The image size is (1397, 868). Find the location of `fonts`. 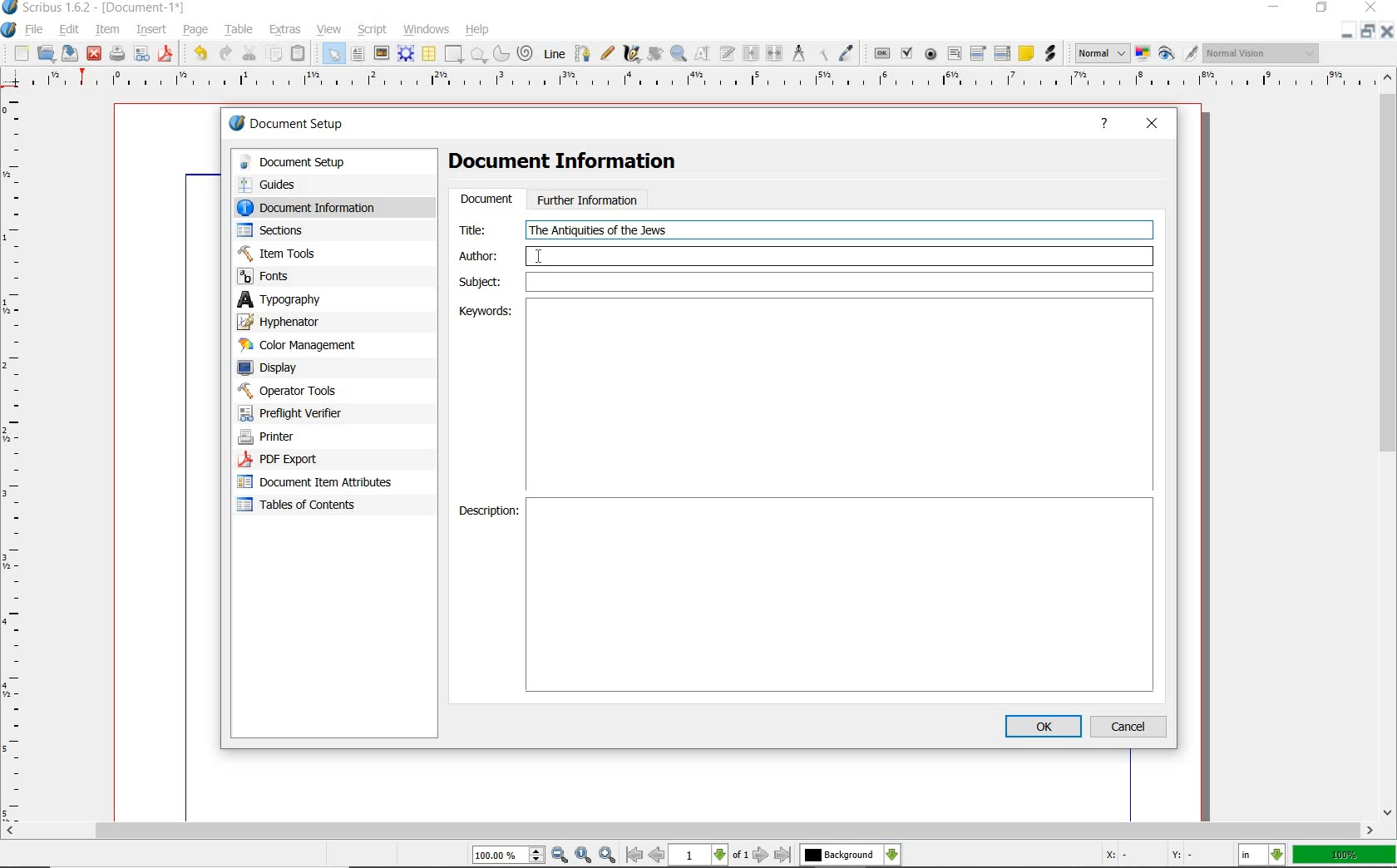

fonts is located at coordinates (315, 277).